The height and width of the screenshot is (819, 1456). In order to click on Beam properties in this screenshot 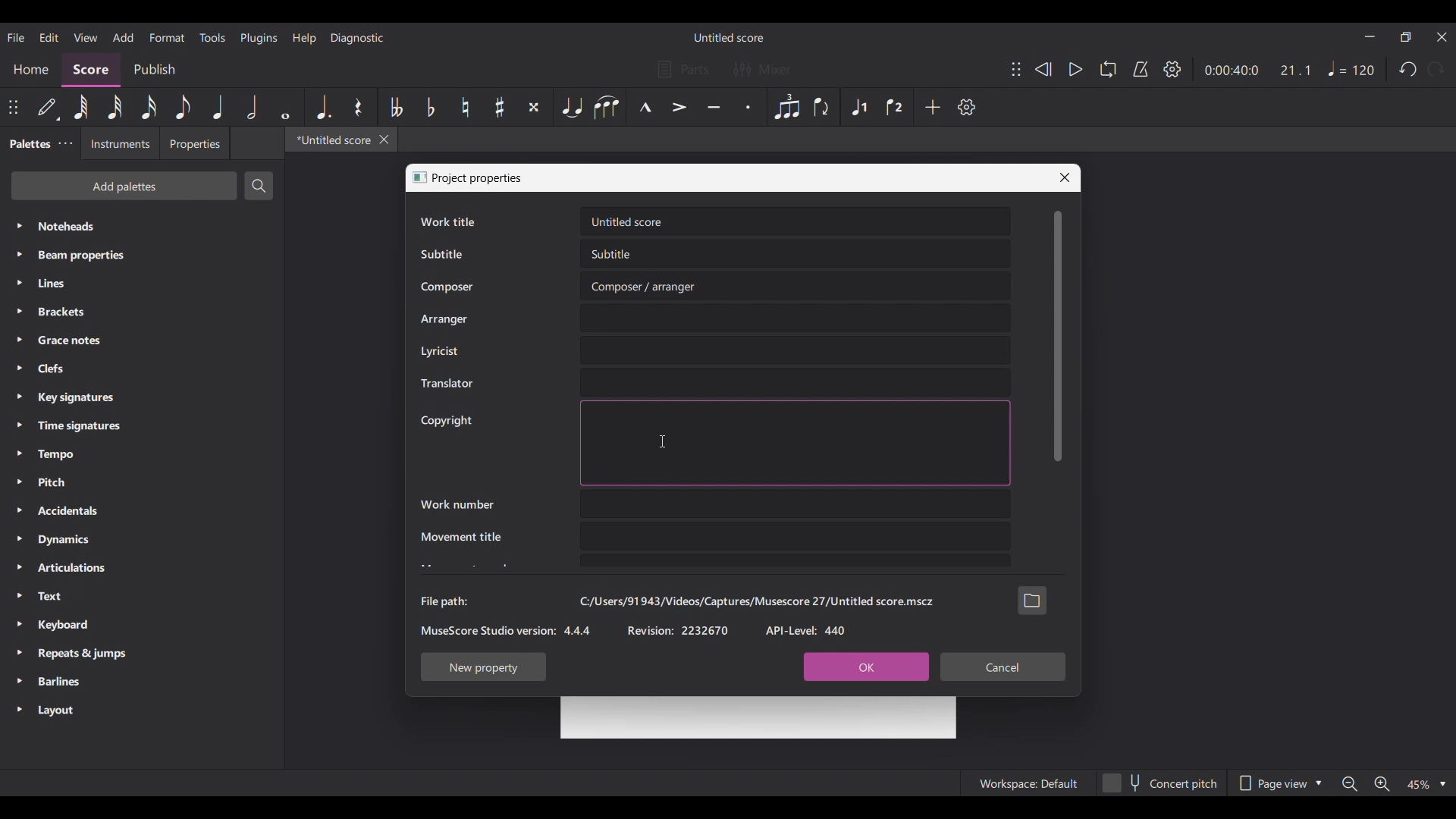, I will do `click(143, 256)`.